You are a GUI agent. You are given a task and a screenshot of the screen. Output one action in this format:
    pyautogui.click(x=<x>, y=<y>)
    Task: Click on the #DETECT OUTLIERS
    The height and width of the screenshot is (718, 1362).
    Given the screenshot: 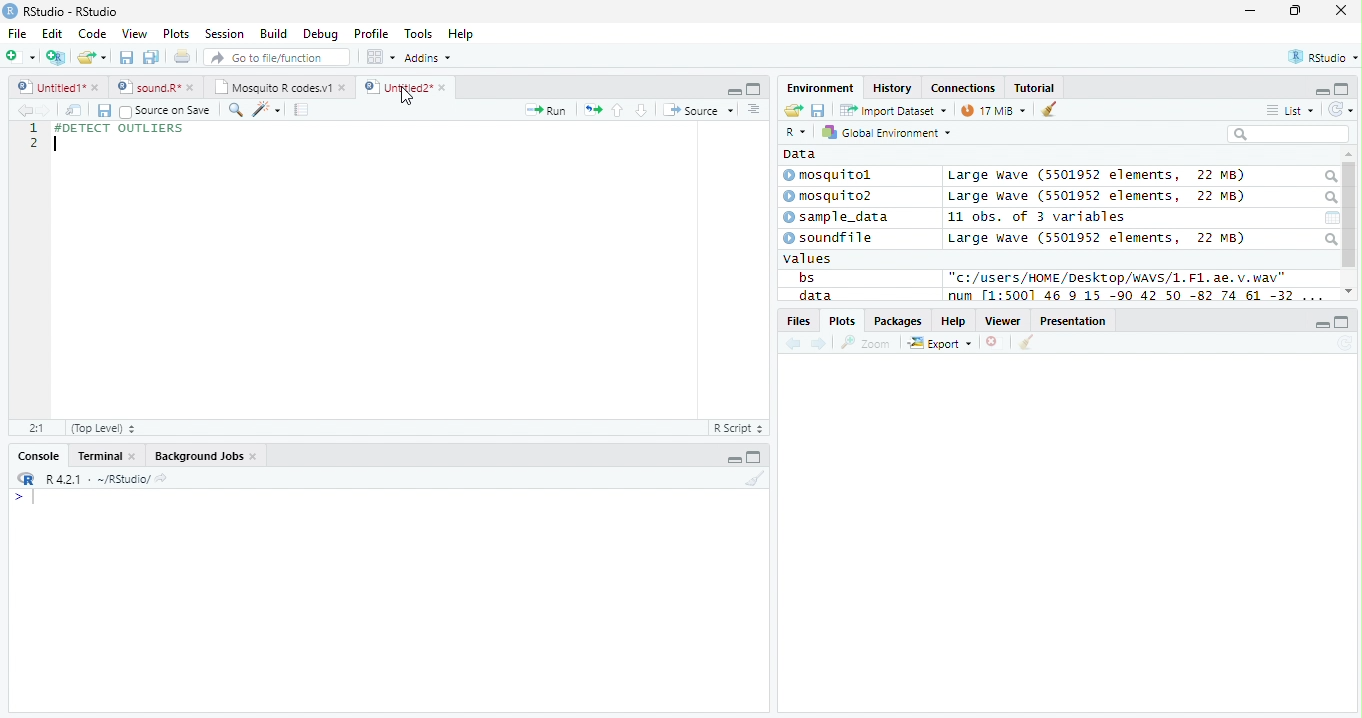 What is the action you would take?
    pyautogui.click(x=117, y=127)
    